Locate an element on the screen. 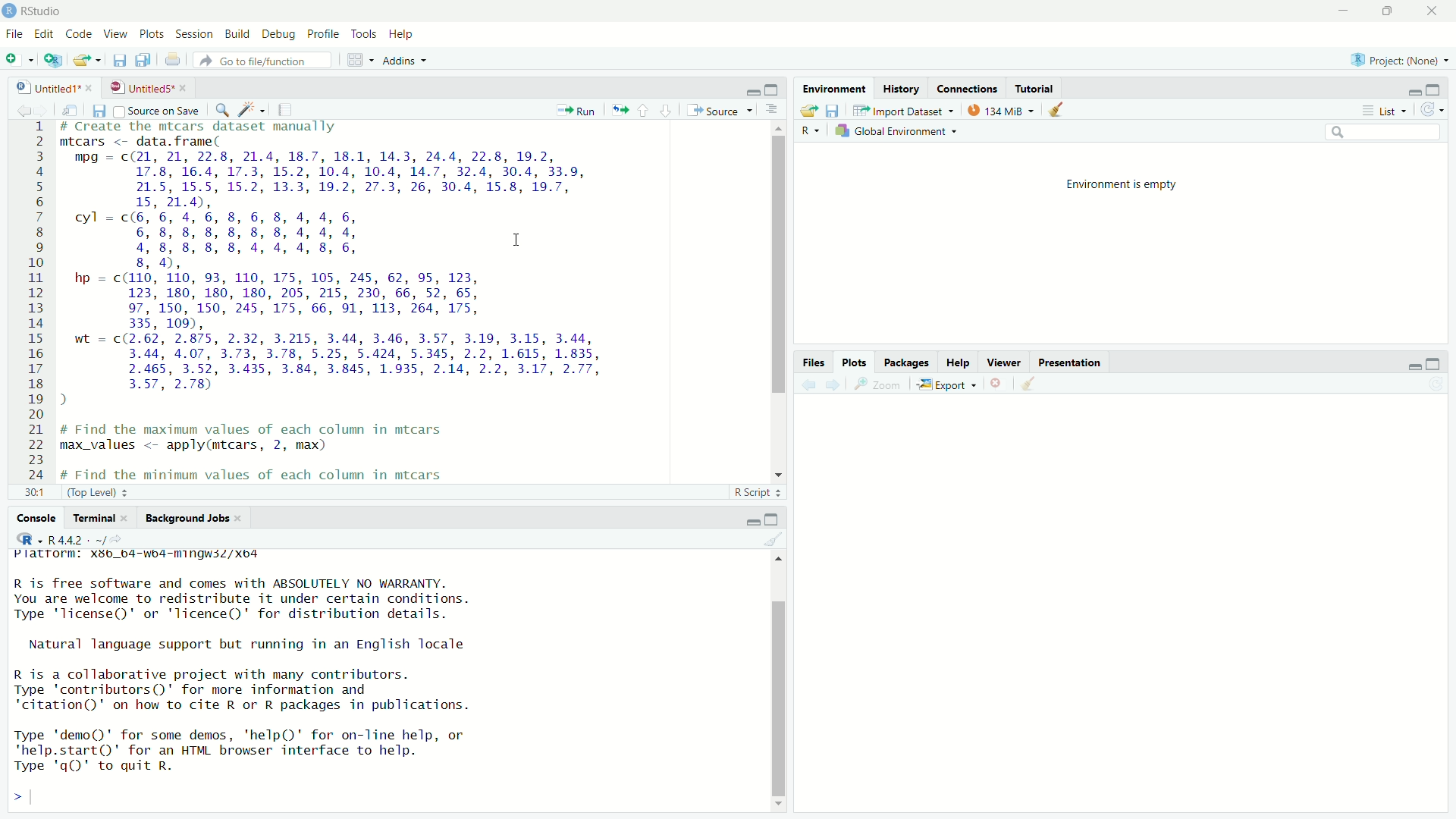 This screenshot has width=1456, height=819. next is located at coordinates (836, 384).